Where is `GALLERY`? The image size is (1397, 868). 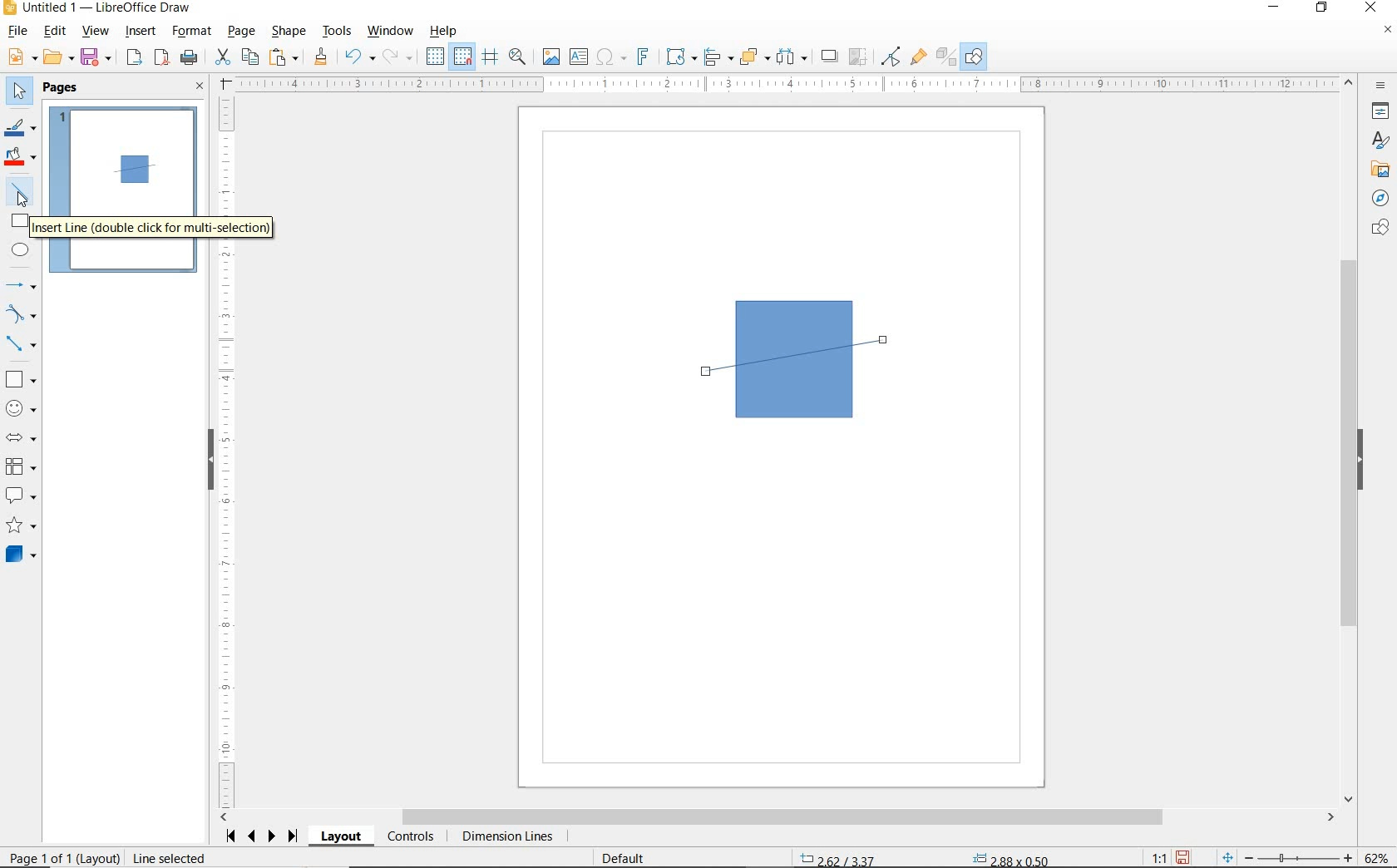 GALLERY is located at coordinates (1378, 168).